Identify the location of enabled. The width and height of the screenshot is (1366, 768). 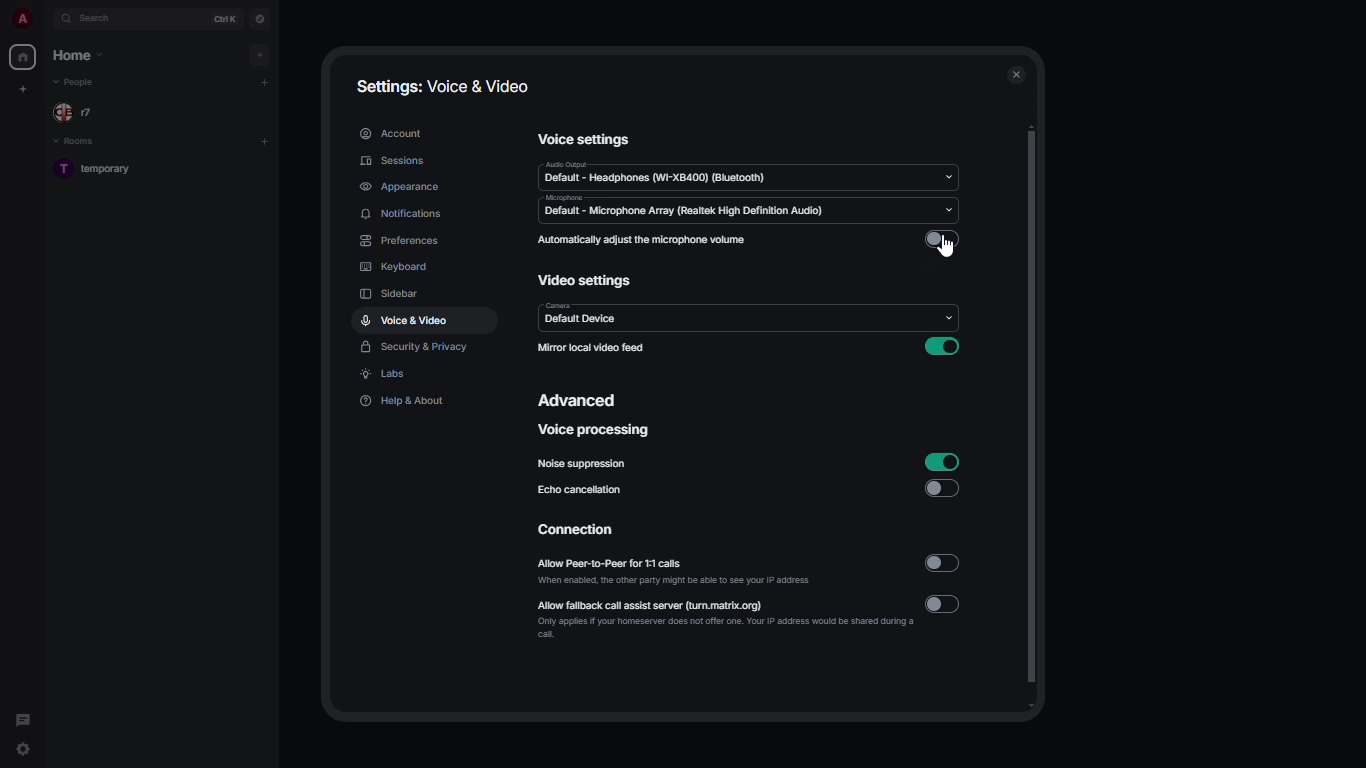
(943, 347).